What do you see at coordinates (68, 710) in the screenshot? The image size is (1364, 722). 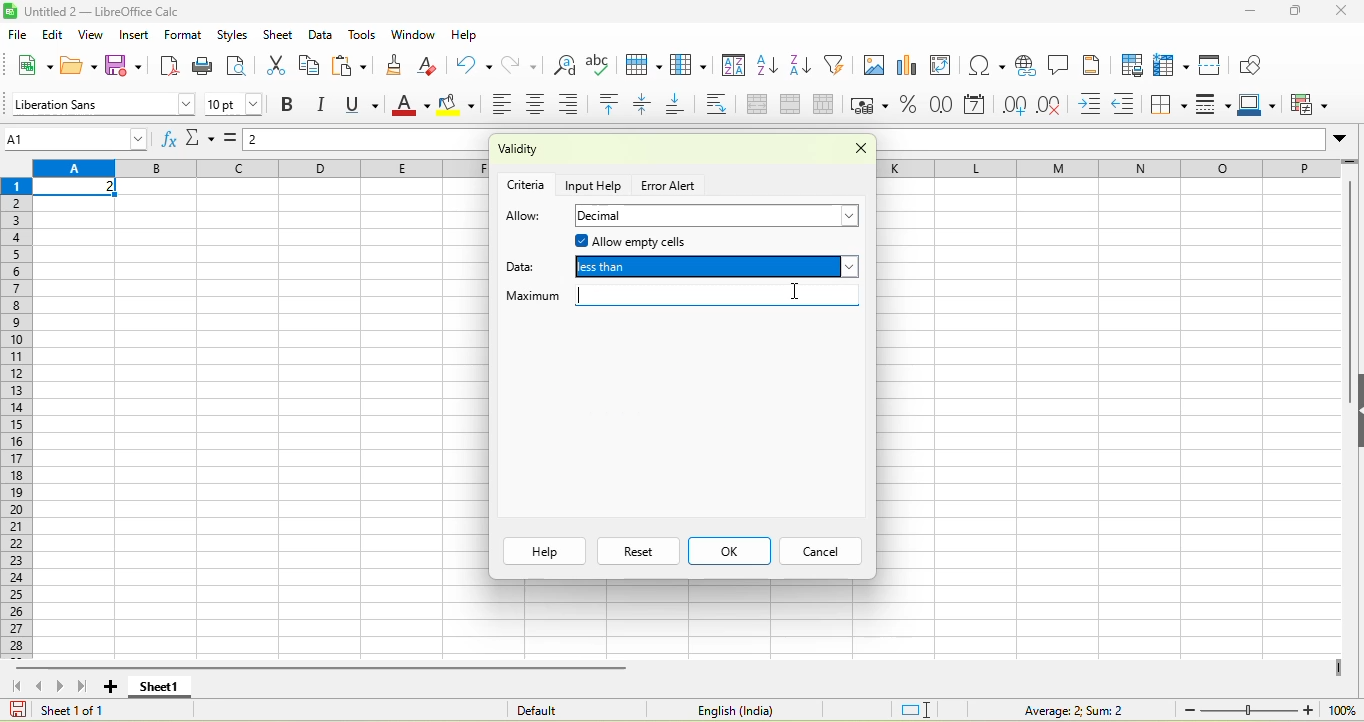 I see `sheet 1 0f 1` at bounding box center [68, 710].